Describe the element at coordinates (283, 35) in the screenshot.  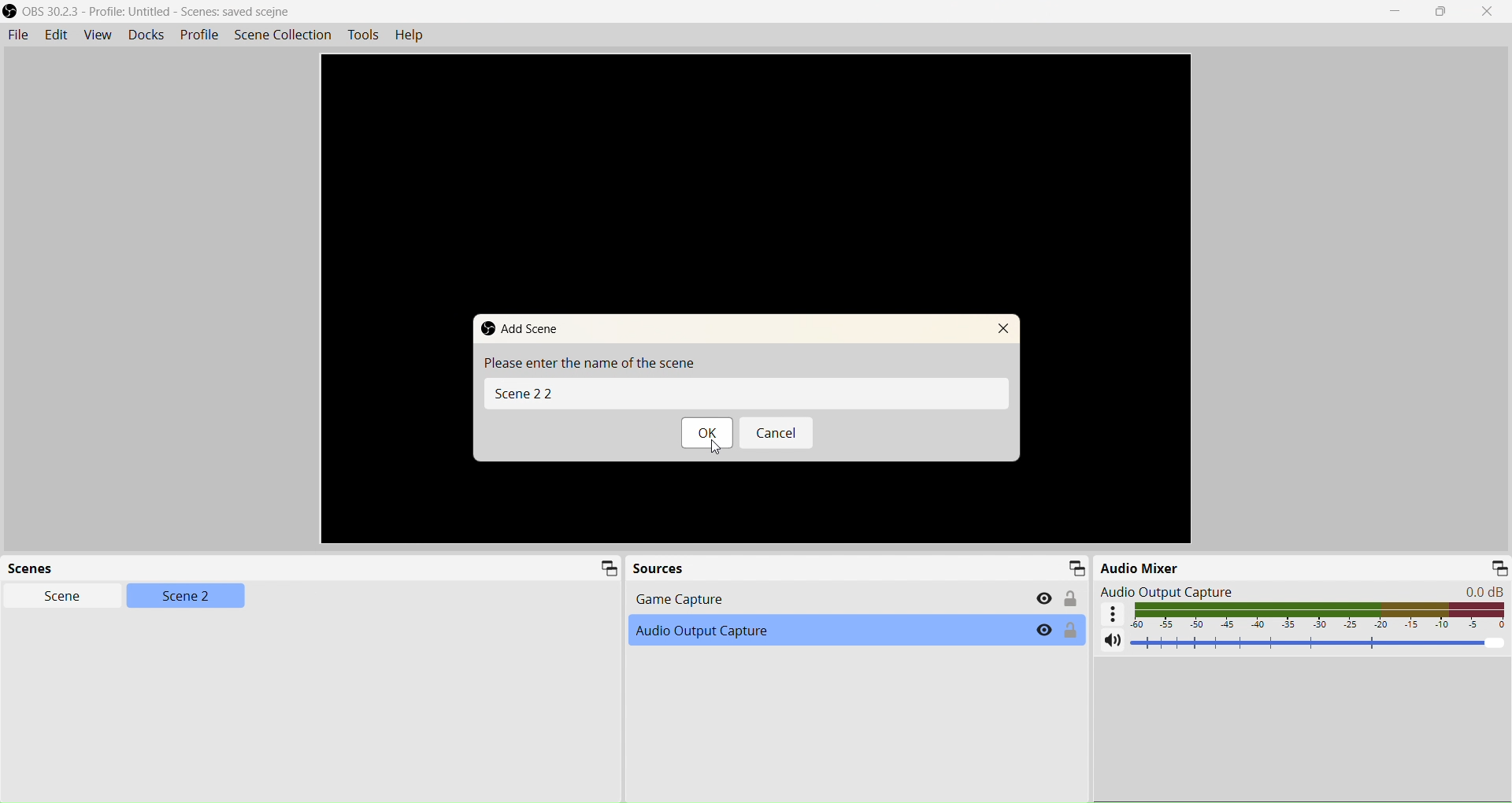
I see `Scene Collection` at that location.